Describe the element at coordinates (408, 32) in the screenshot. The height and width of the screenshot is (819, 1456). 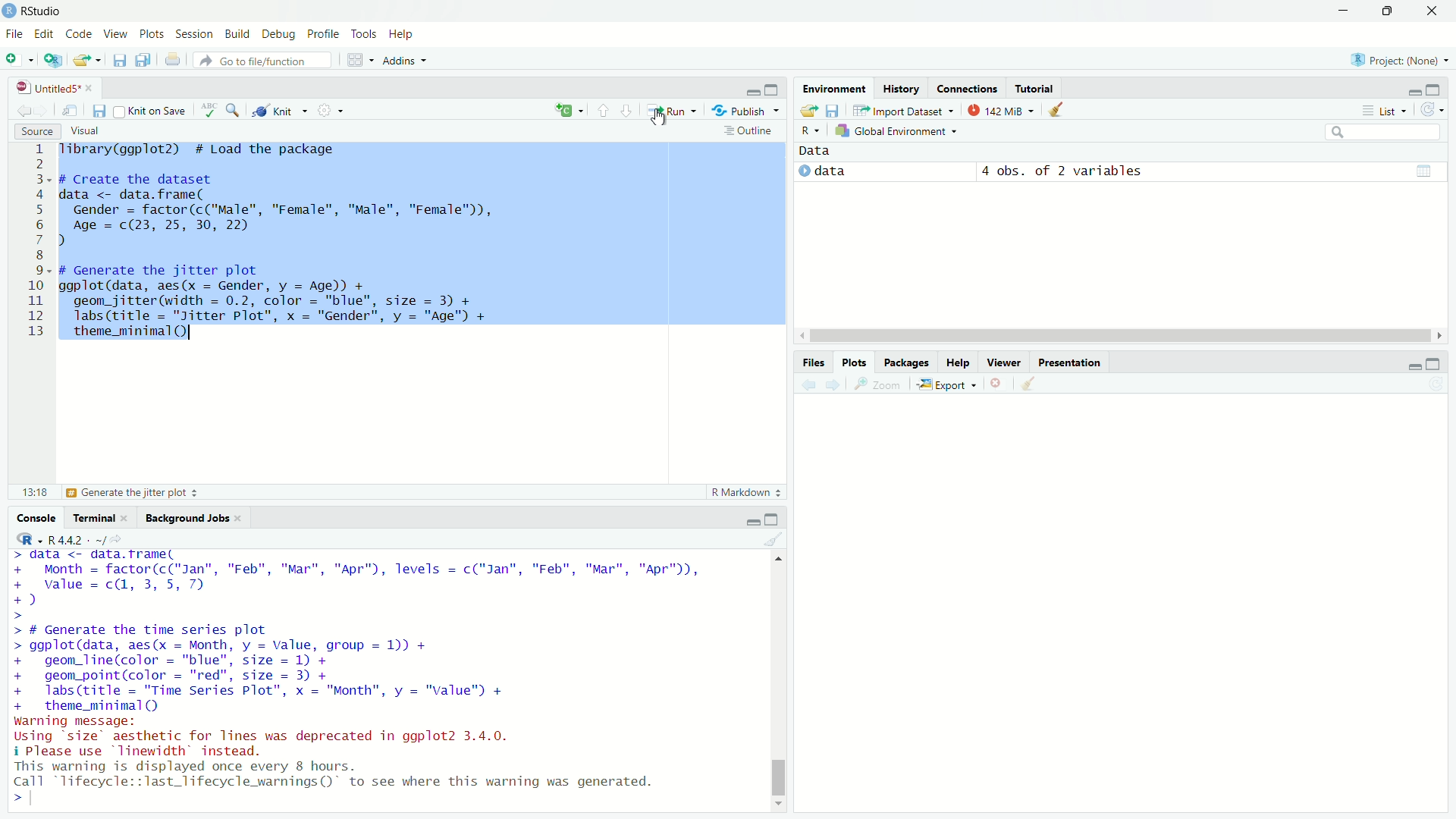
I see `help` at that location.